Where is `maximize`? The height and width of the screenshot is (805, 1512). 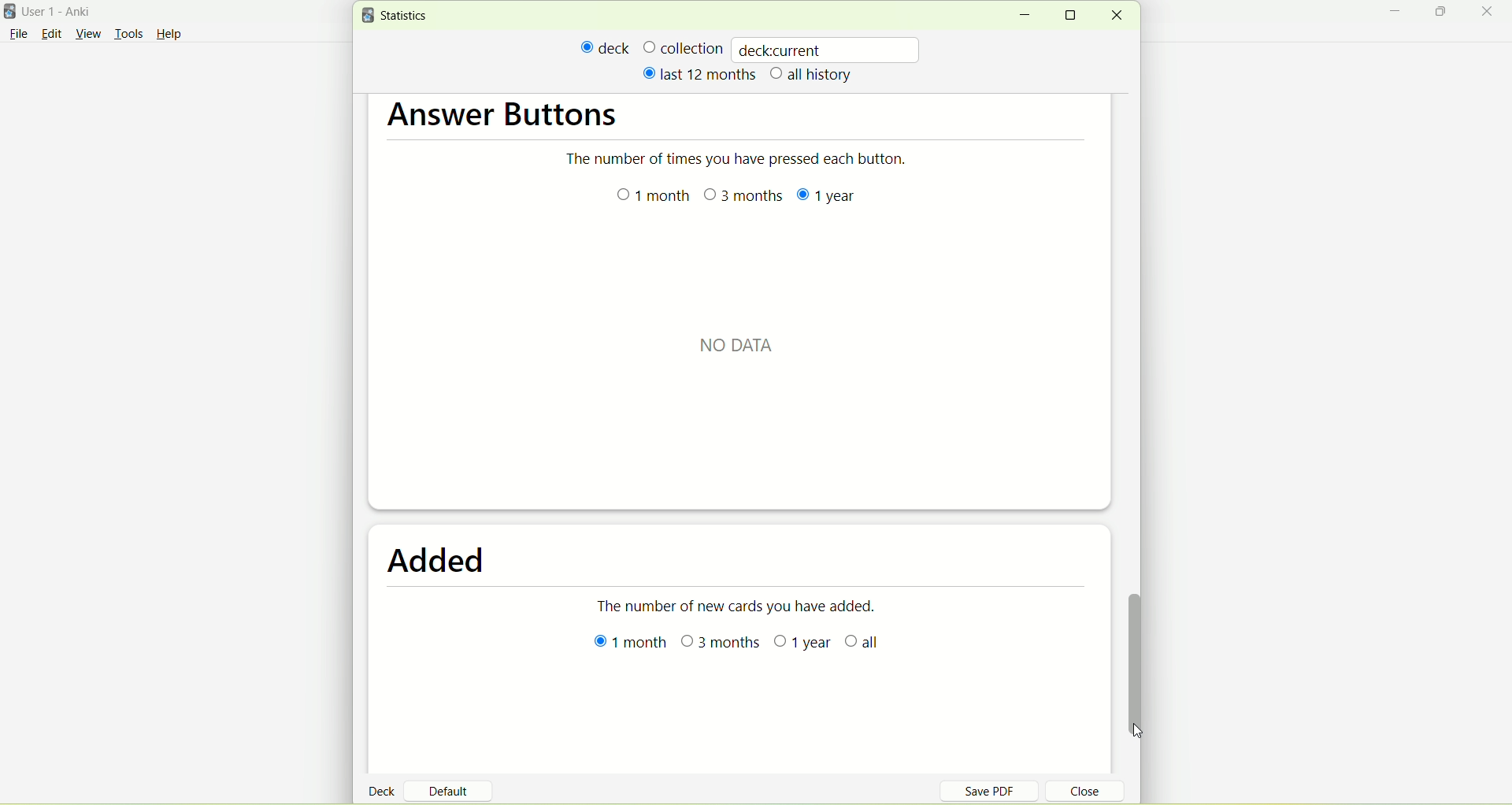
maximize is located at coordinates (1443, 14).